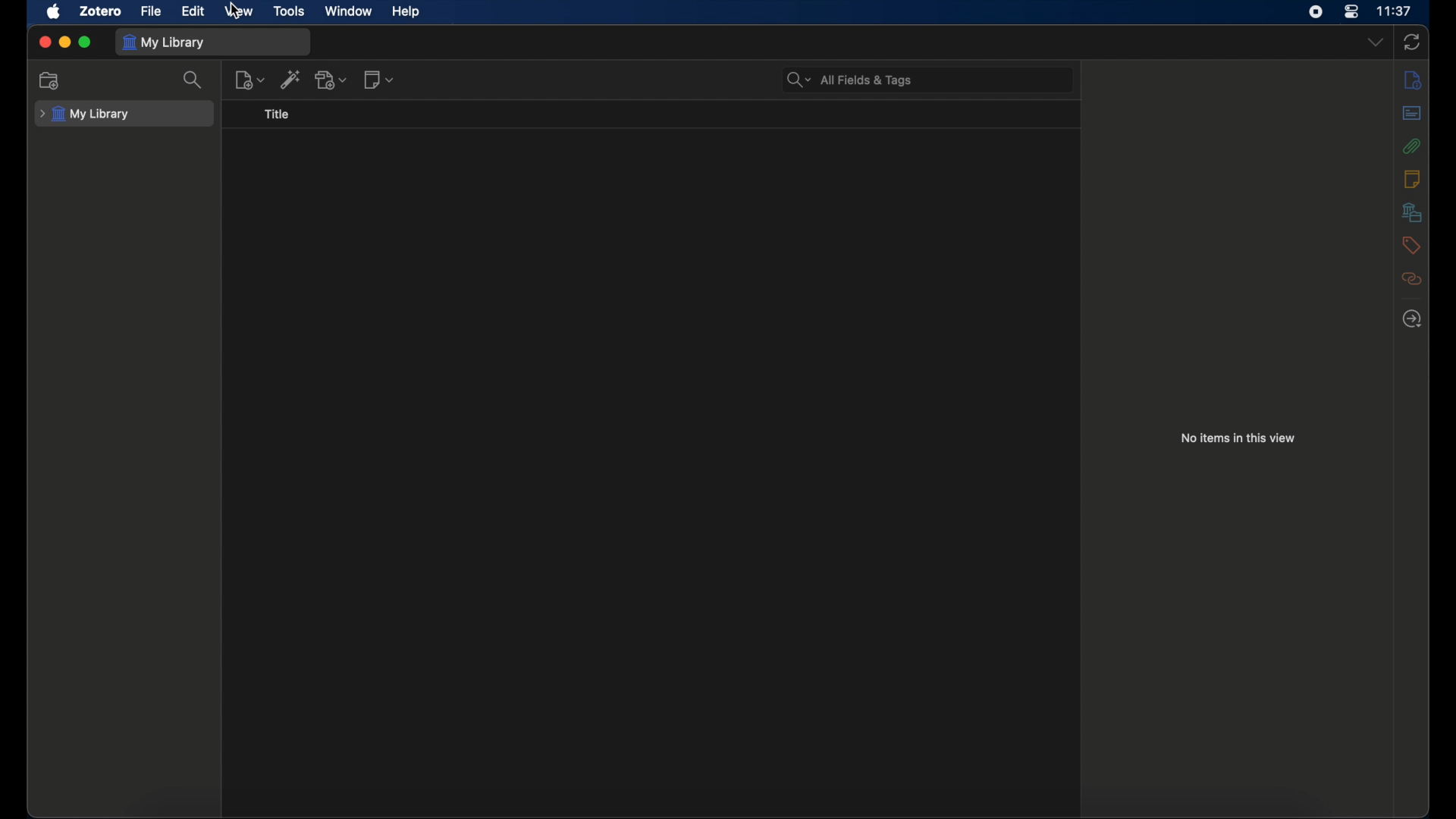  Describe the element at coordinates (1411, 177) in the screenshot. I see `notes` at that location.